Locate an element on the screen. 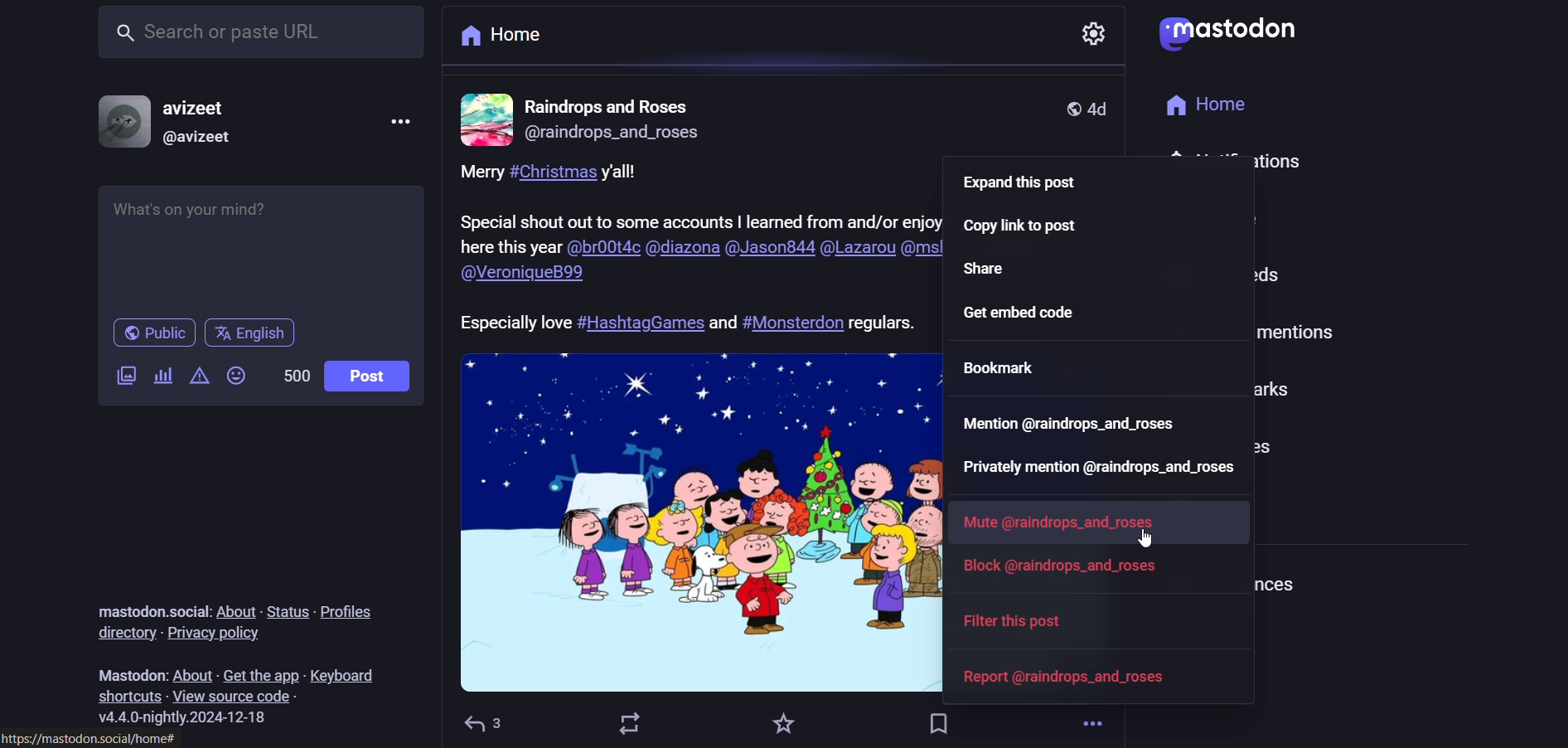 This screenshot has height=748, width=1568. about is located at coordinates (190, 668).